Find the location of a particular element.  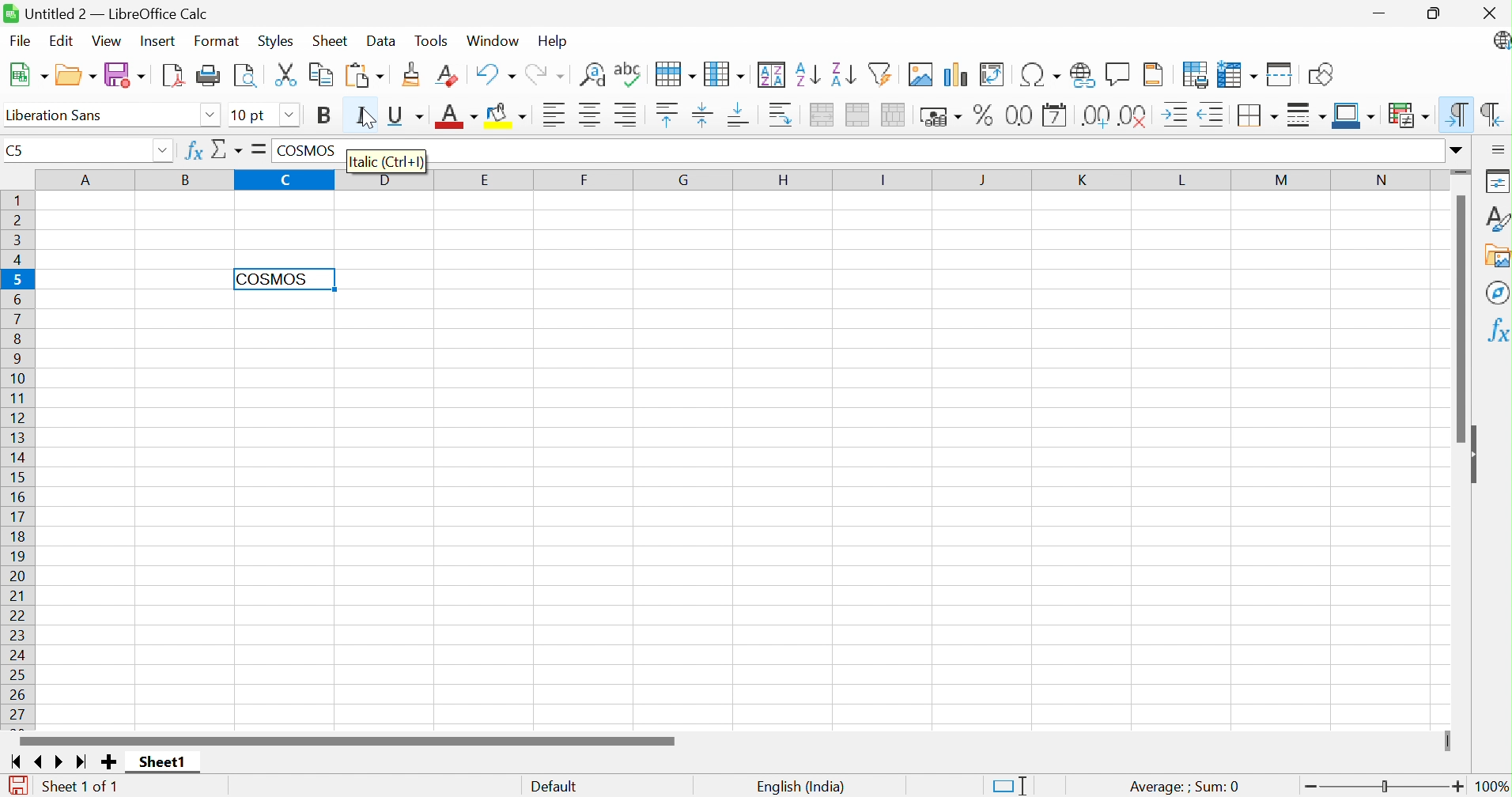

Scroll to previous sheet is located at coordinates (43, 760).